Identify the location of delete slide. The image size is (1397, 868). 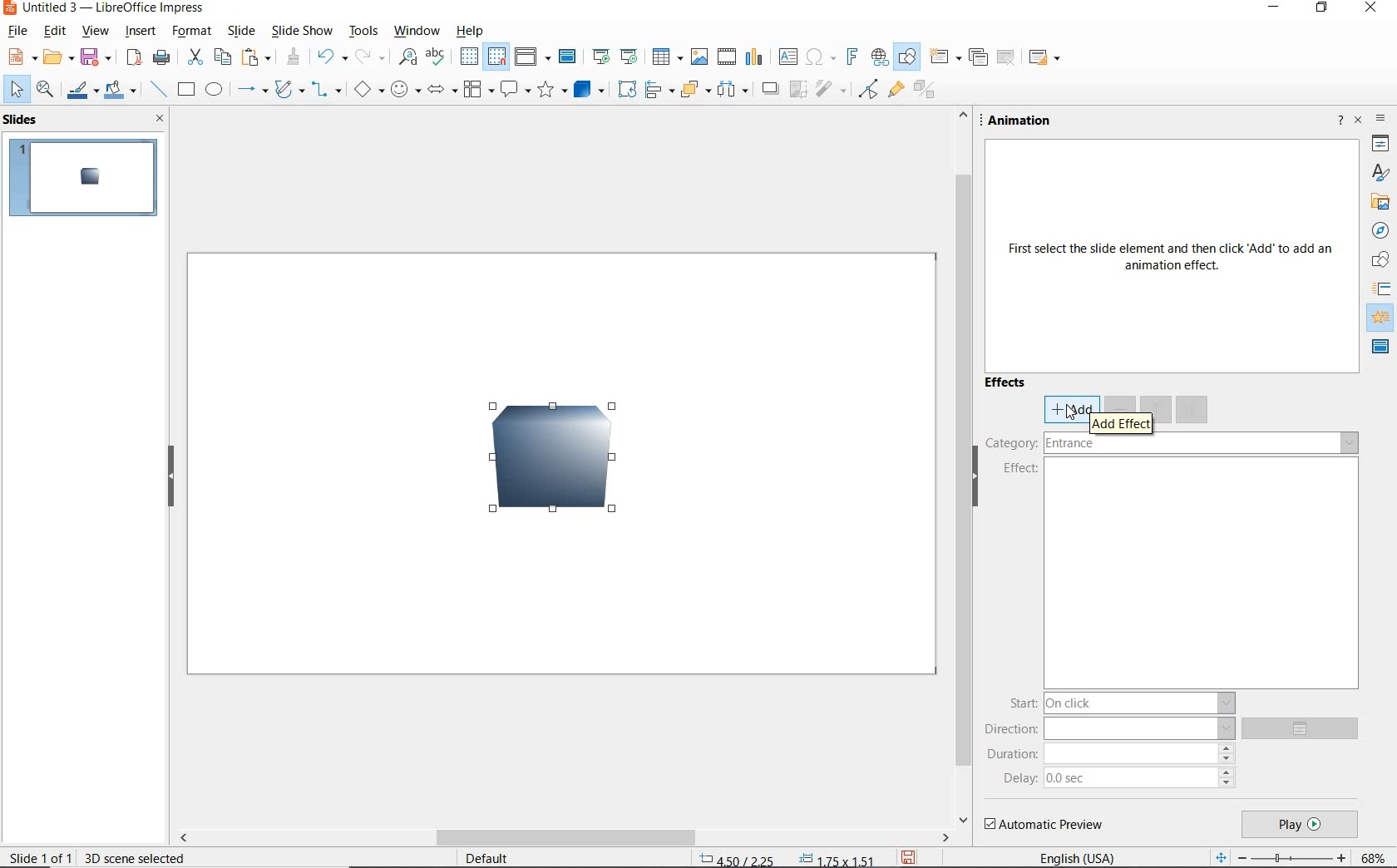
(1007, 57).